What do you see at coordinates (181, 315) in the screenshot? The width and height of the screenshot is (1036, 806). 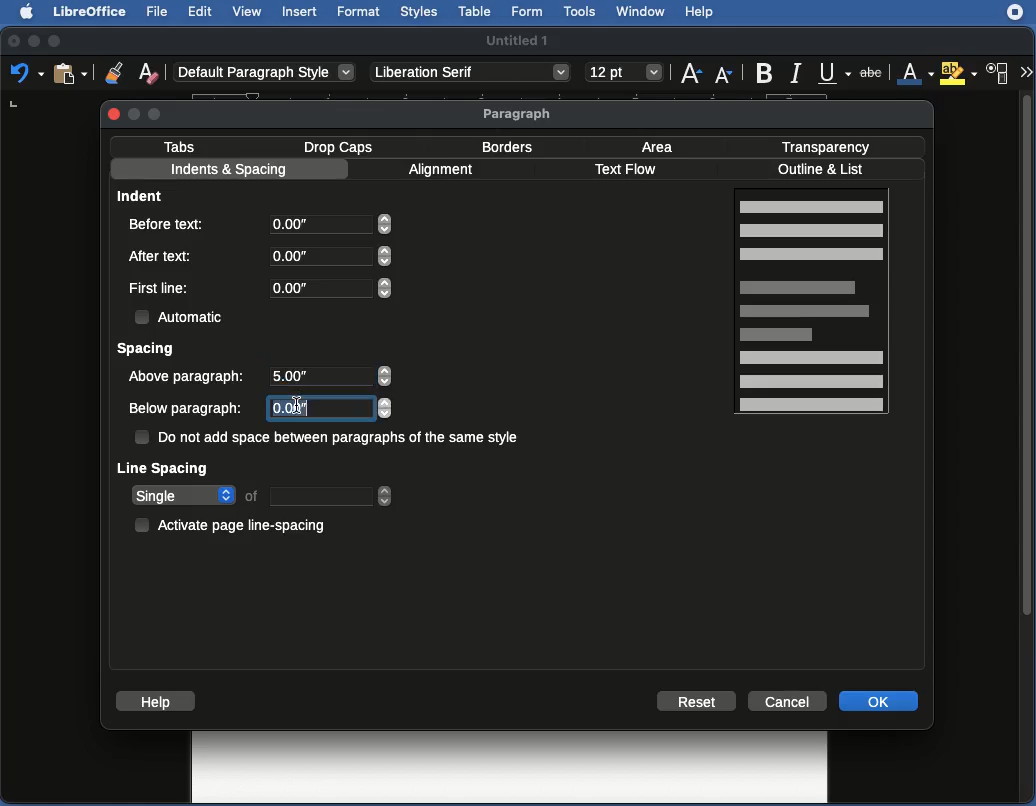 I see `Automatic` at bounding box center [181, 315].